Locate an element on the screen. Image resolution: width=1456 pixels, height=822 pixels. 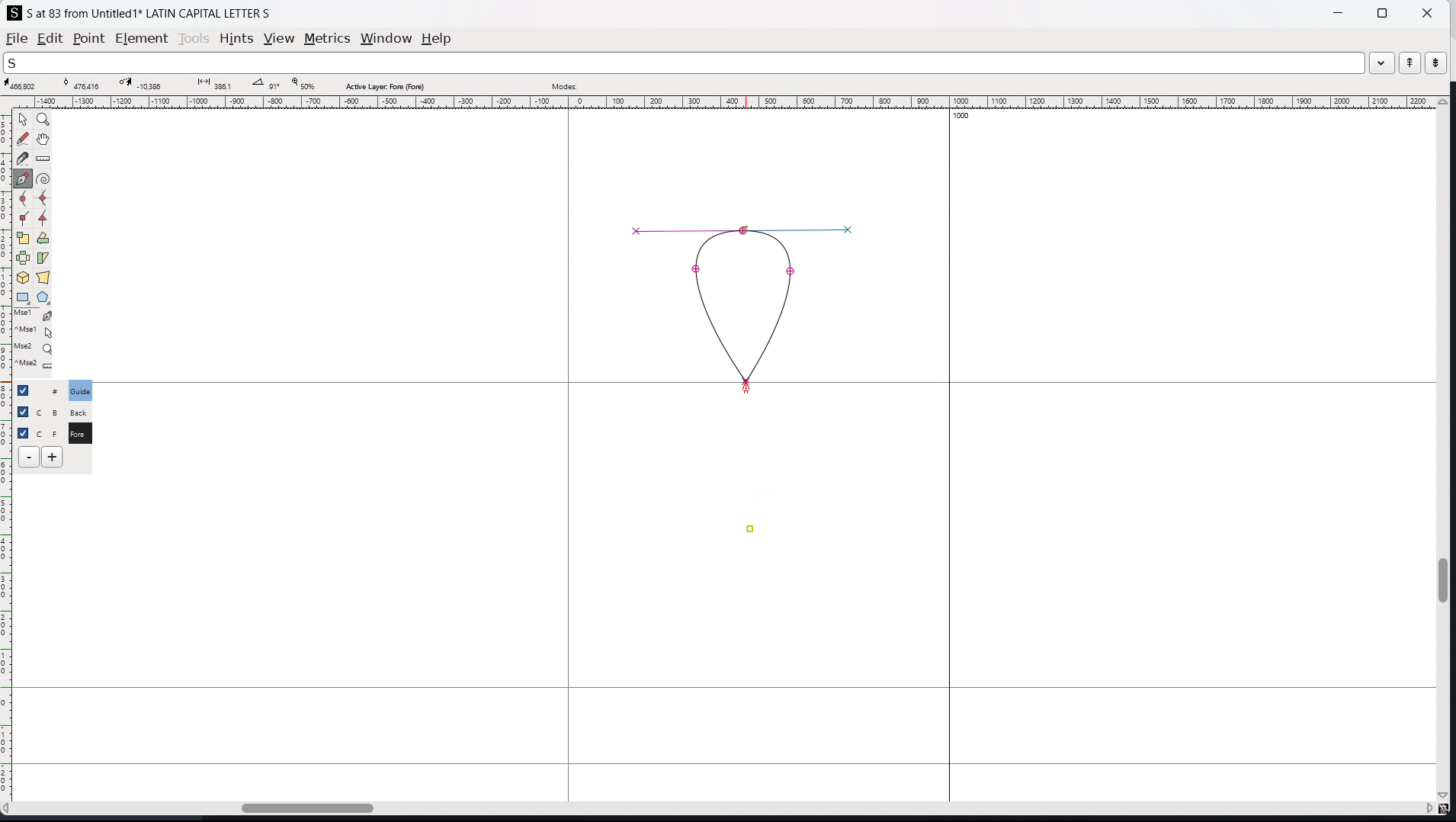
Mse2 is located at coordinates (35, 348).